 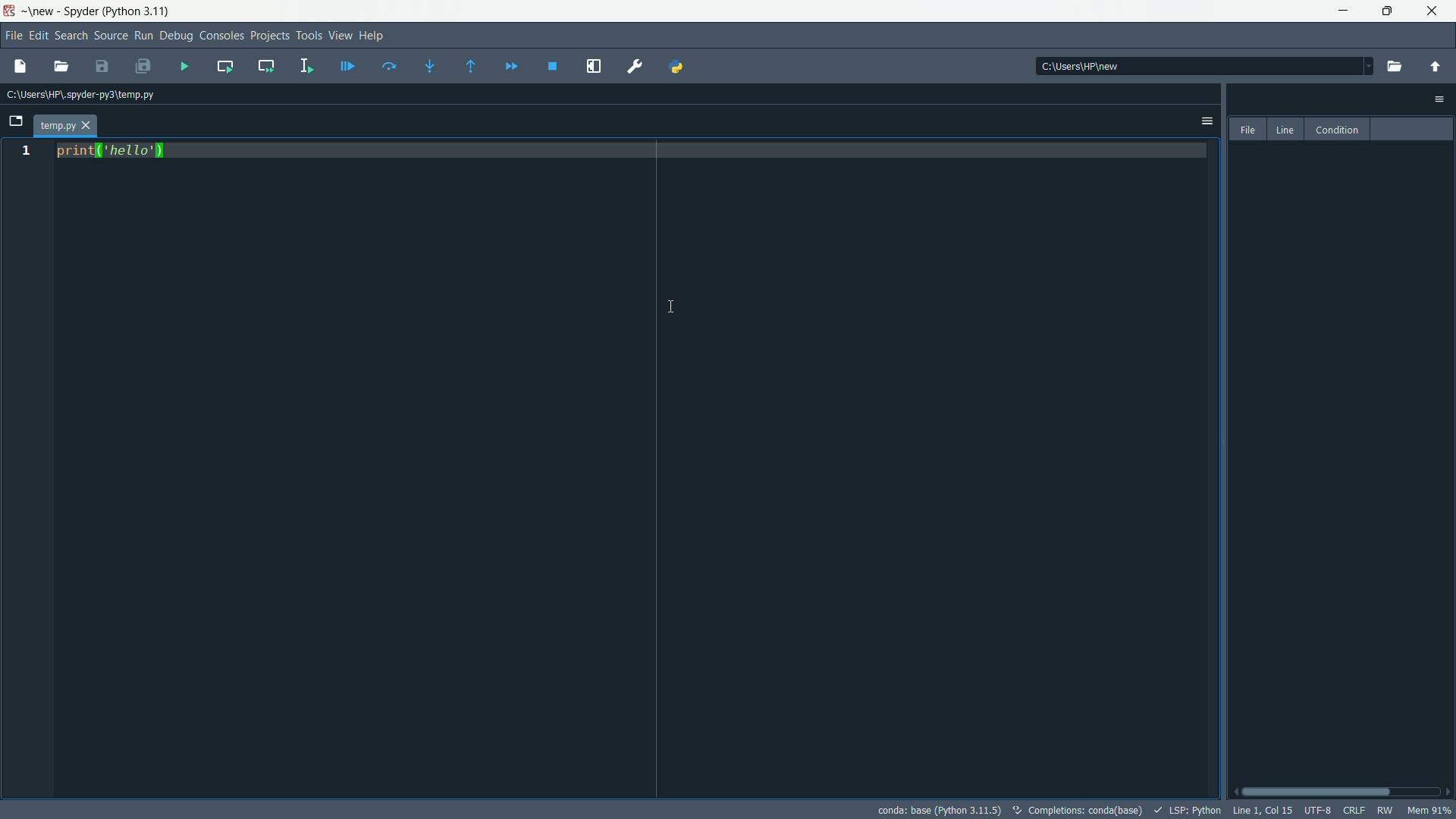 What do you see at coordinates (12, 36) in the screenshot?
I see `file menu` at bounding box center [12, 36].